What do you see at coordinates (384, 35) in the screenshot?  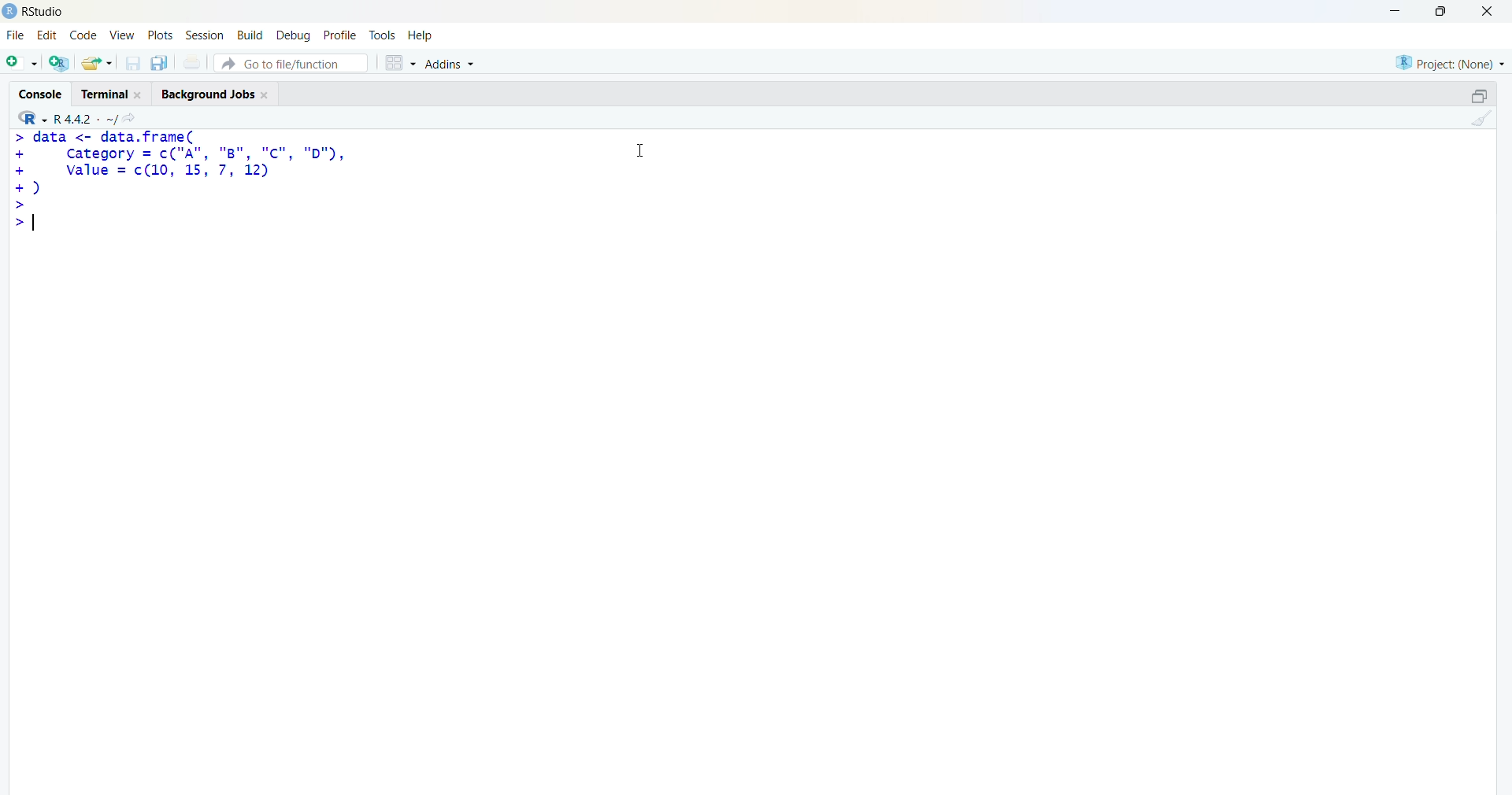 I see `tools` at bounding box center [384, 35].